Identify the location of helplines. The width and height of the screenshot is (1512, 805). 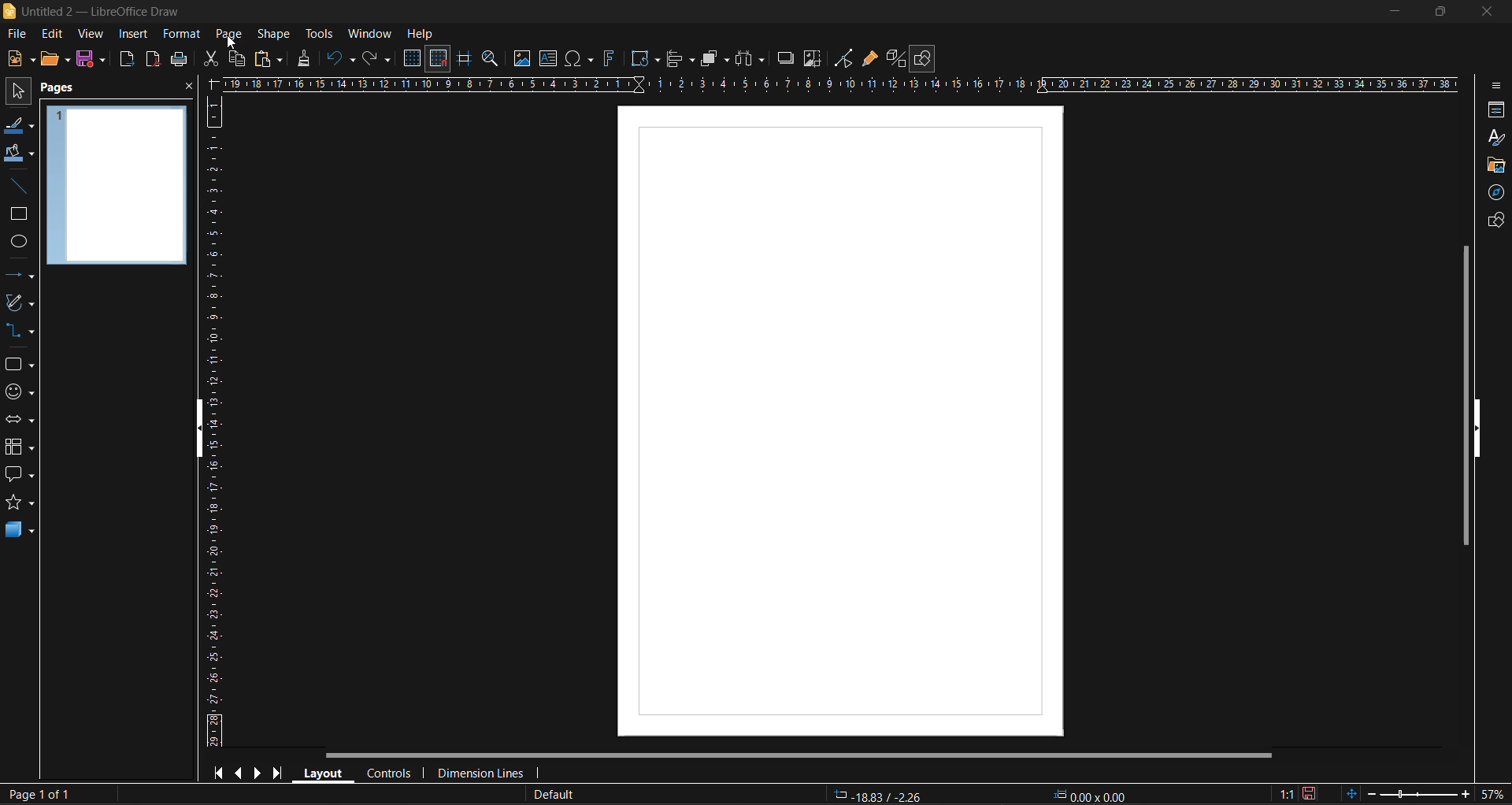
(463, 58).